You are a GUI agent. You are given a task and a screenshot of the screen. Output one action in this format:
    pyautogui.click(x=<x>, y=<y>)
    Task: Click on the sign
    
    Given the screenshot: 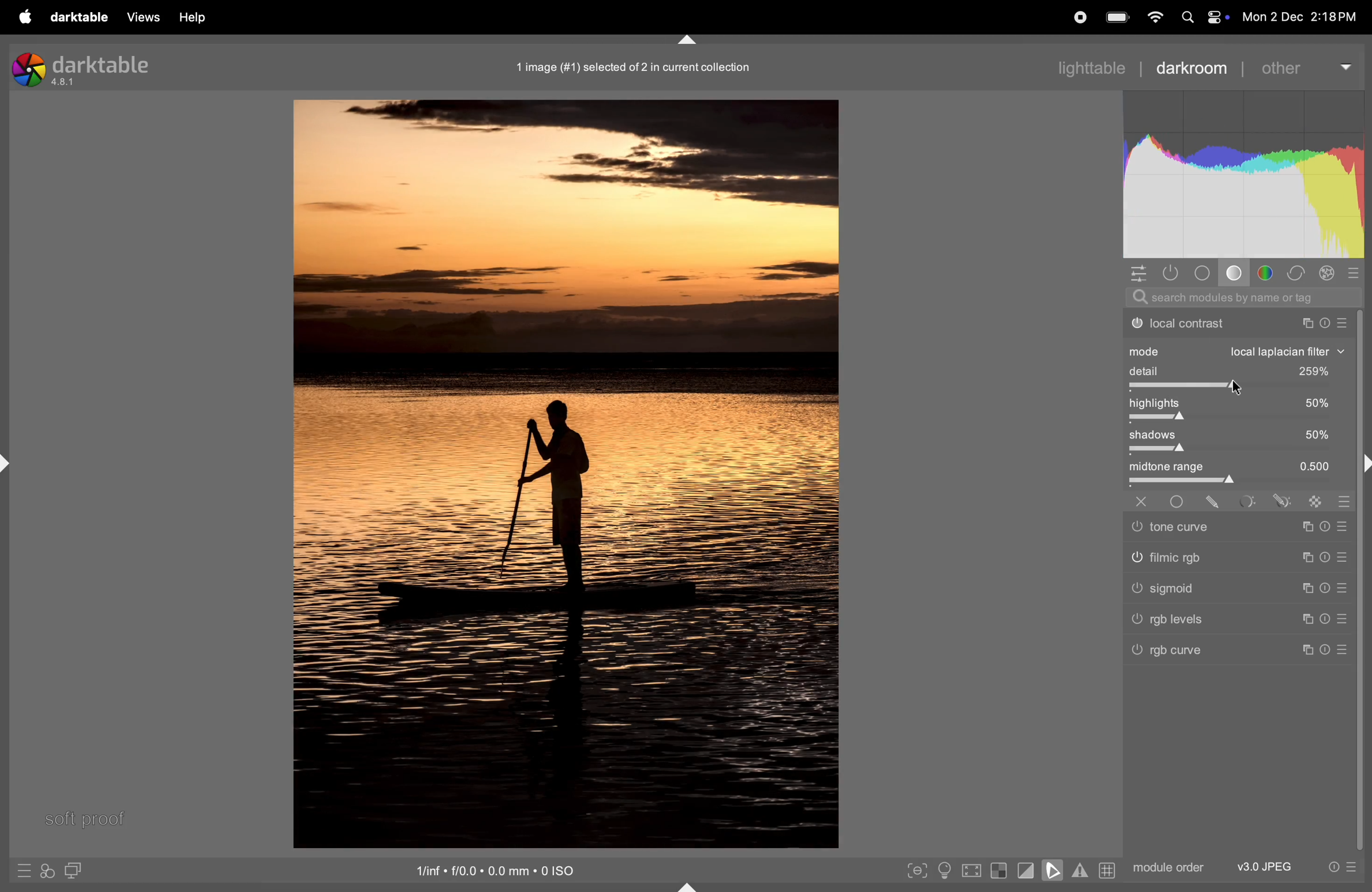 What is the action you would take?
    pyautogui.click(x=1356, y=273)
    